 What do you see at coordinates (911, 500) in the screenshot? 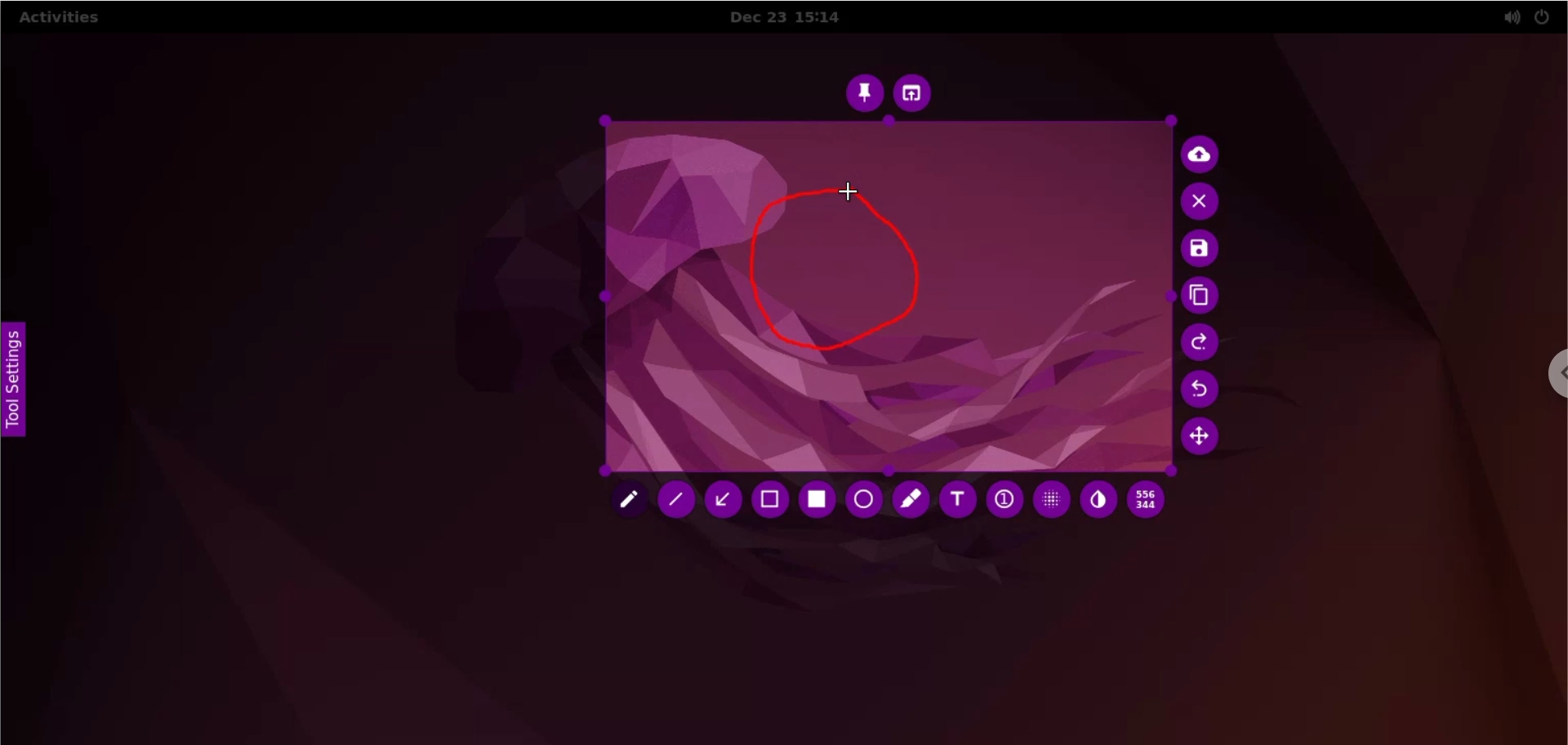
I see `marker tool` at bounding box center [911, 500].